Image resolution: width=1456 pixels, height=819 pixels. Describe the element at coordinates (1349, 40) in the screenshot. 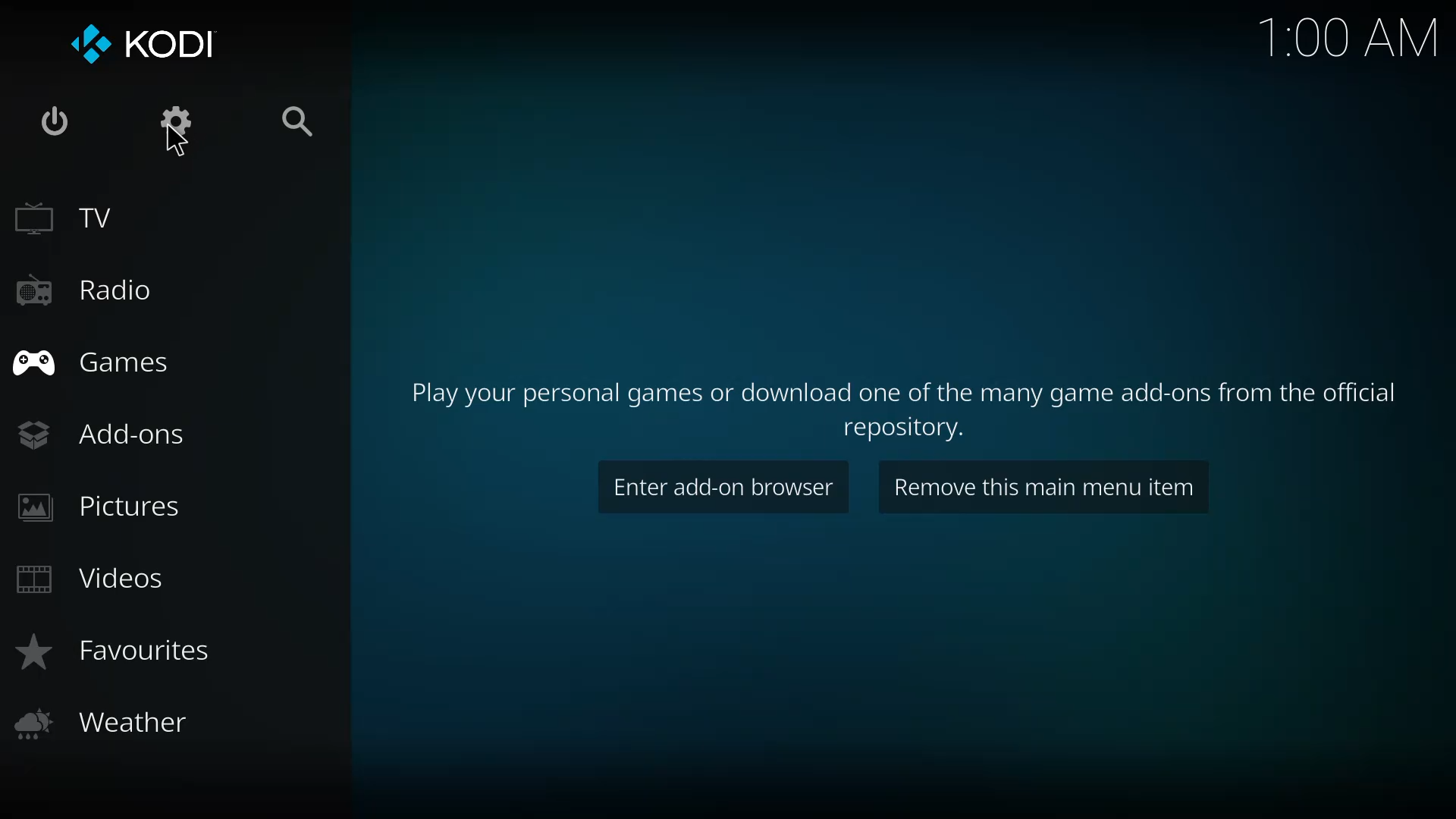

I see `time` at that location.